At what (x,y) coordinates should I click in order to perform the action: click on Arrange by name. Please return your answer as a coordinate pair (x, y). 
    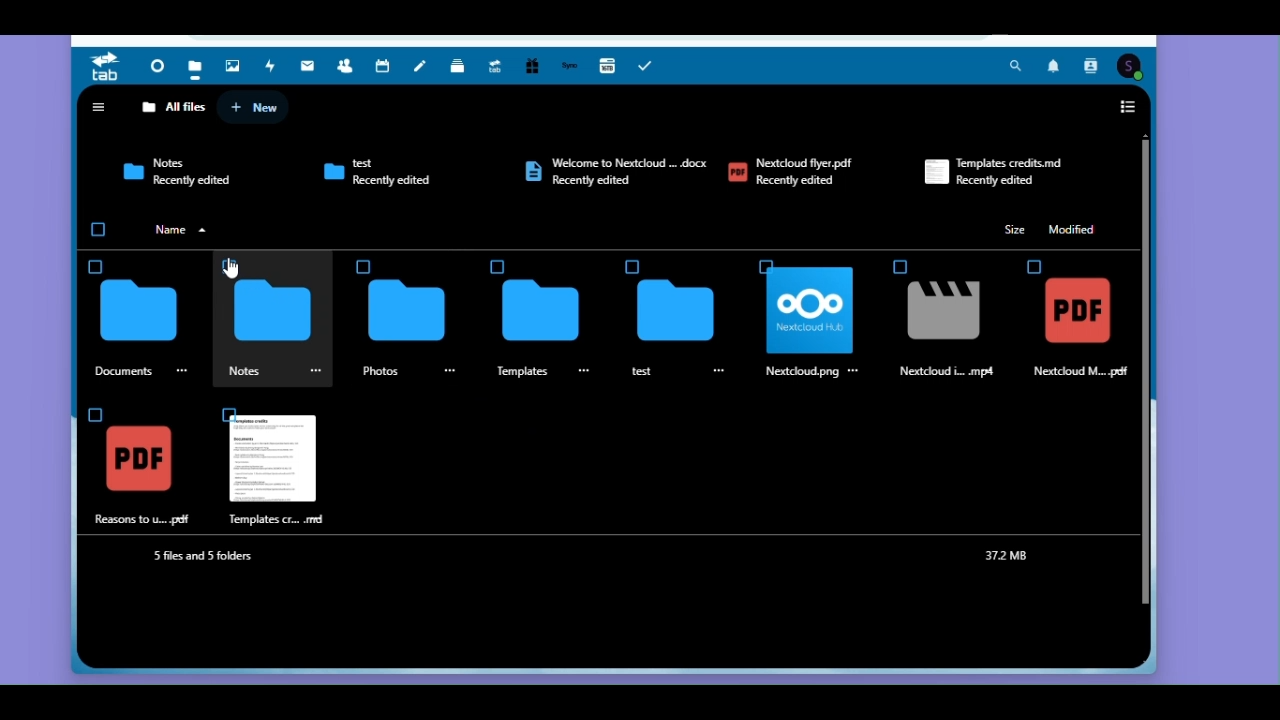
    Looking at the image, I should click on (184, 229).